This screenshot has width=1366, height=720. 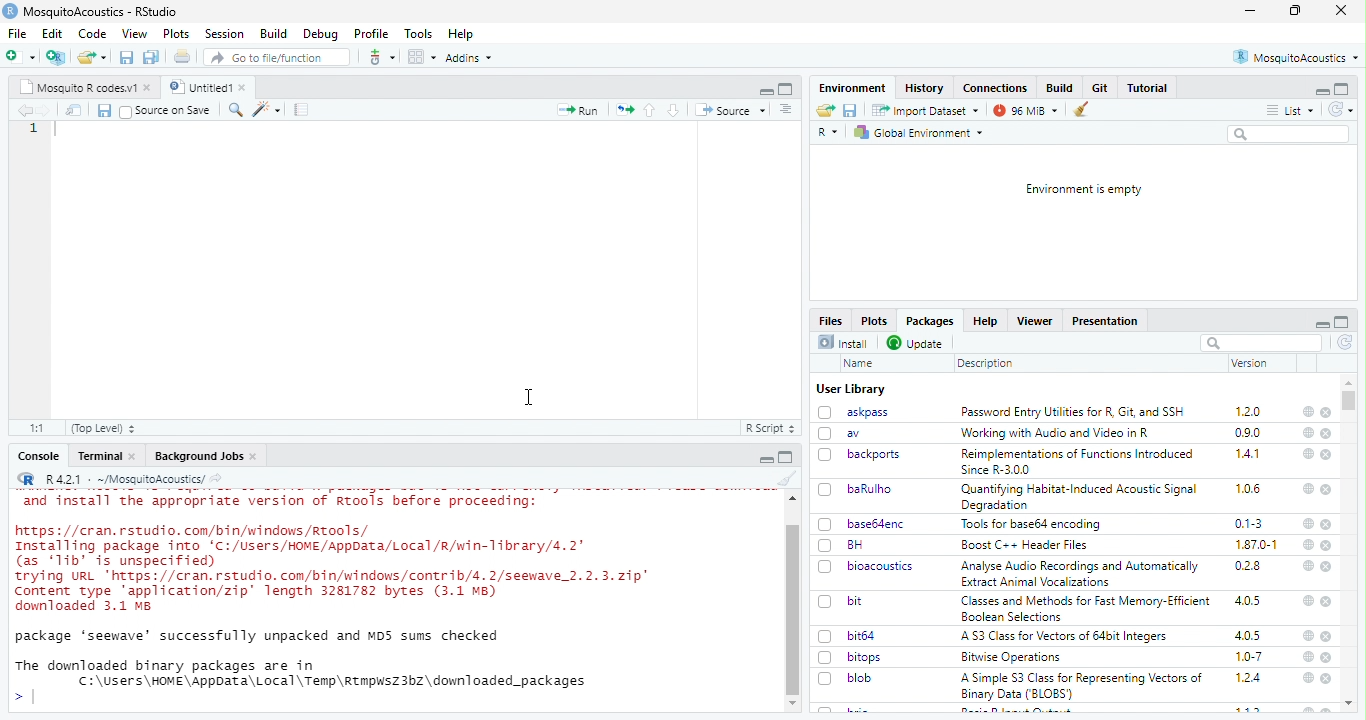 I want to click on Classes and Methods for Fast Memory-Efficient
[rrr —, so click(x=1085, y=608).